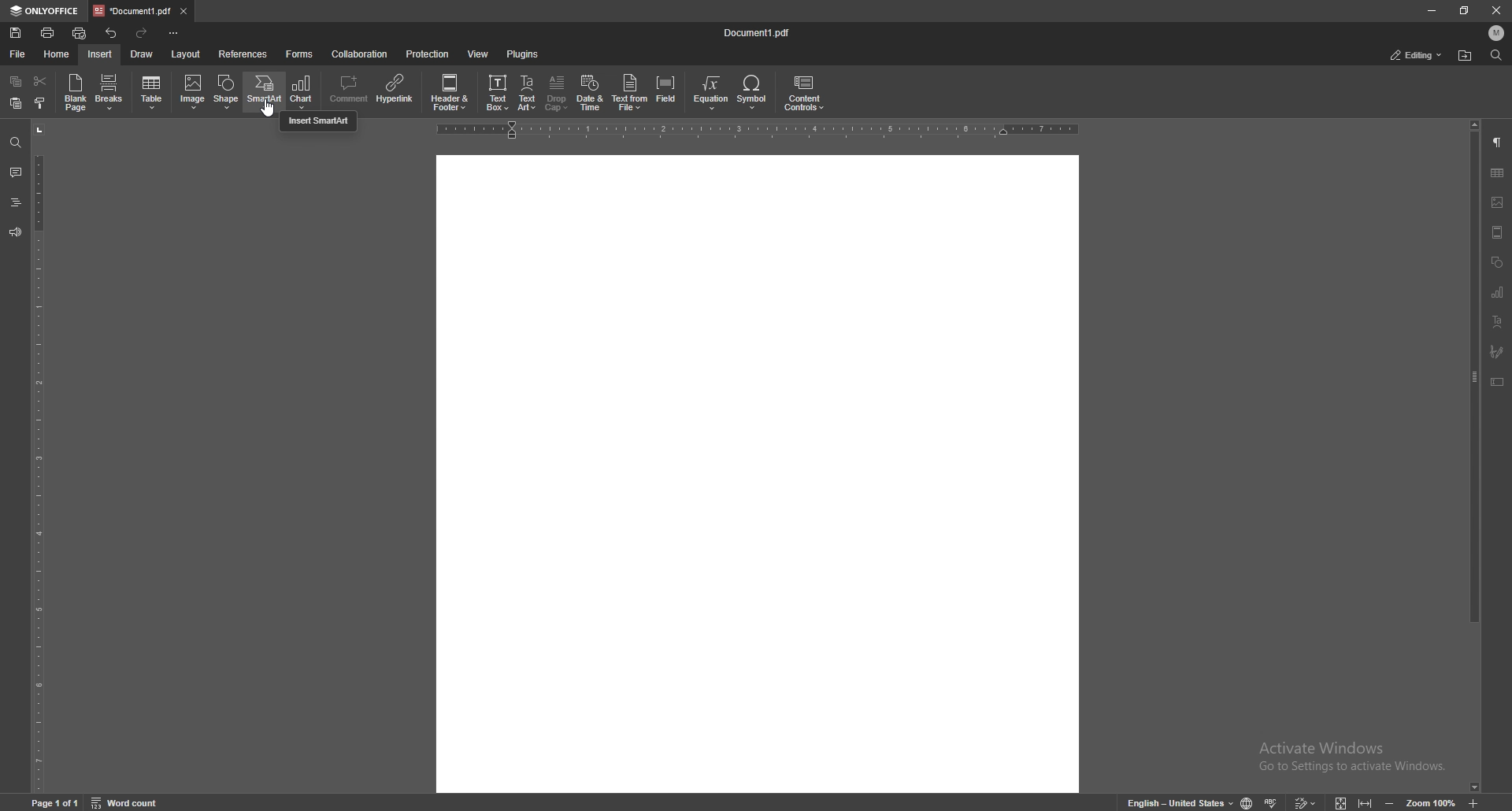 The height and width of the screenshot is (811, 1512). Describe the element at coordinates (1499, 172) in the screenshot. I see `table` at that location.